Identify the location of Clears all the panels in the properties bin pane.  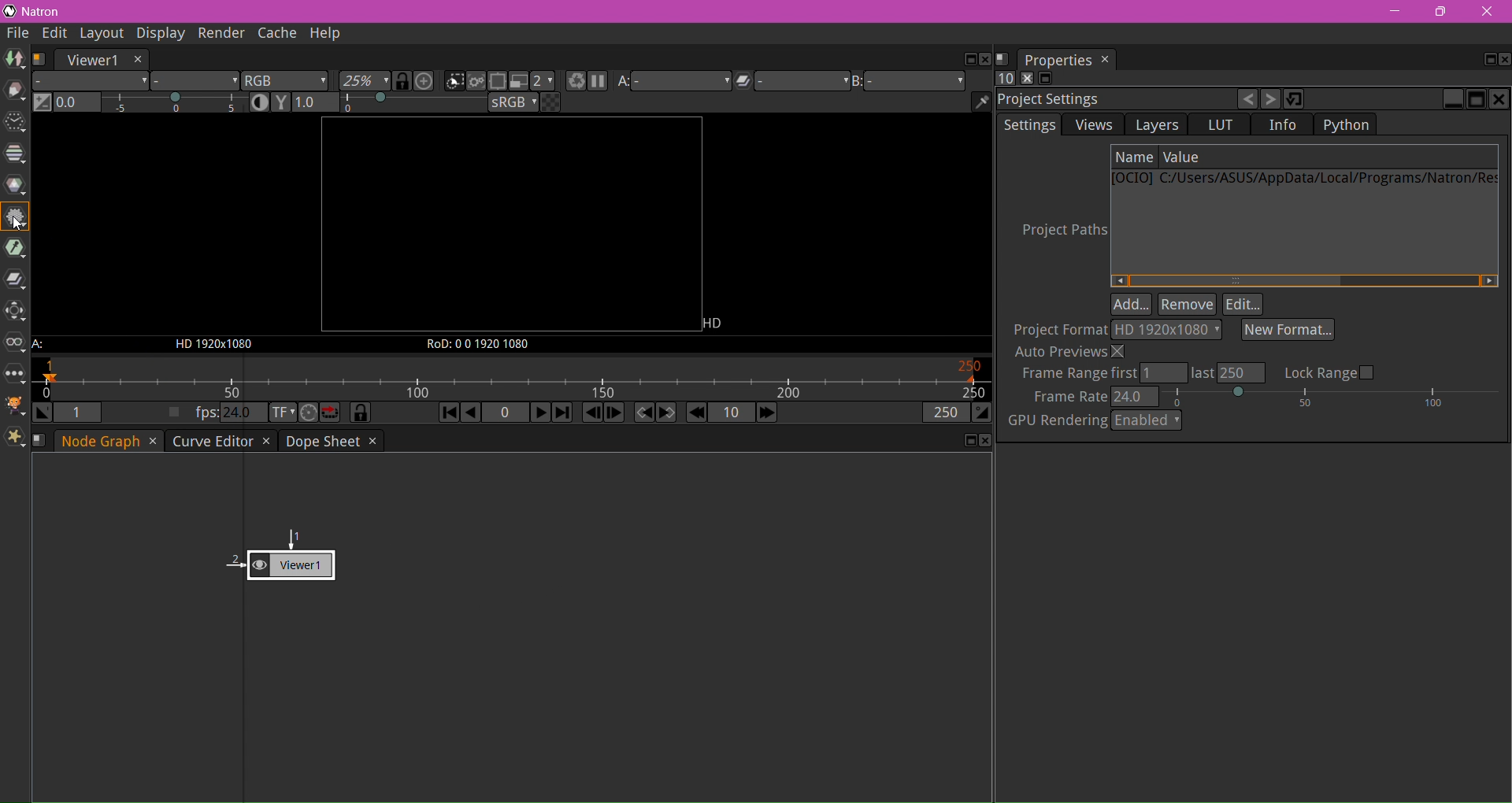
(1025, 79).